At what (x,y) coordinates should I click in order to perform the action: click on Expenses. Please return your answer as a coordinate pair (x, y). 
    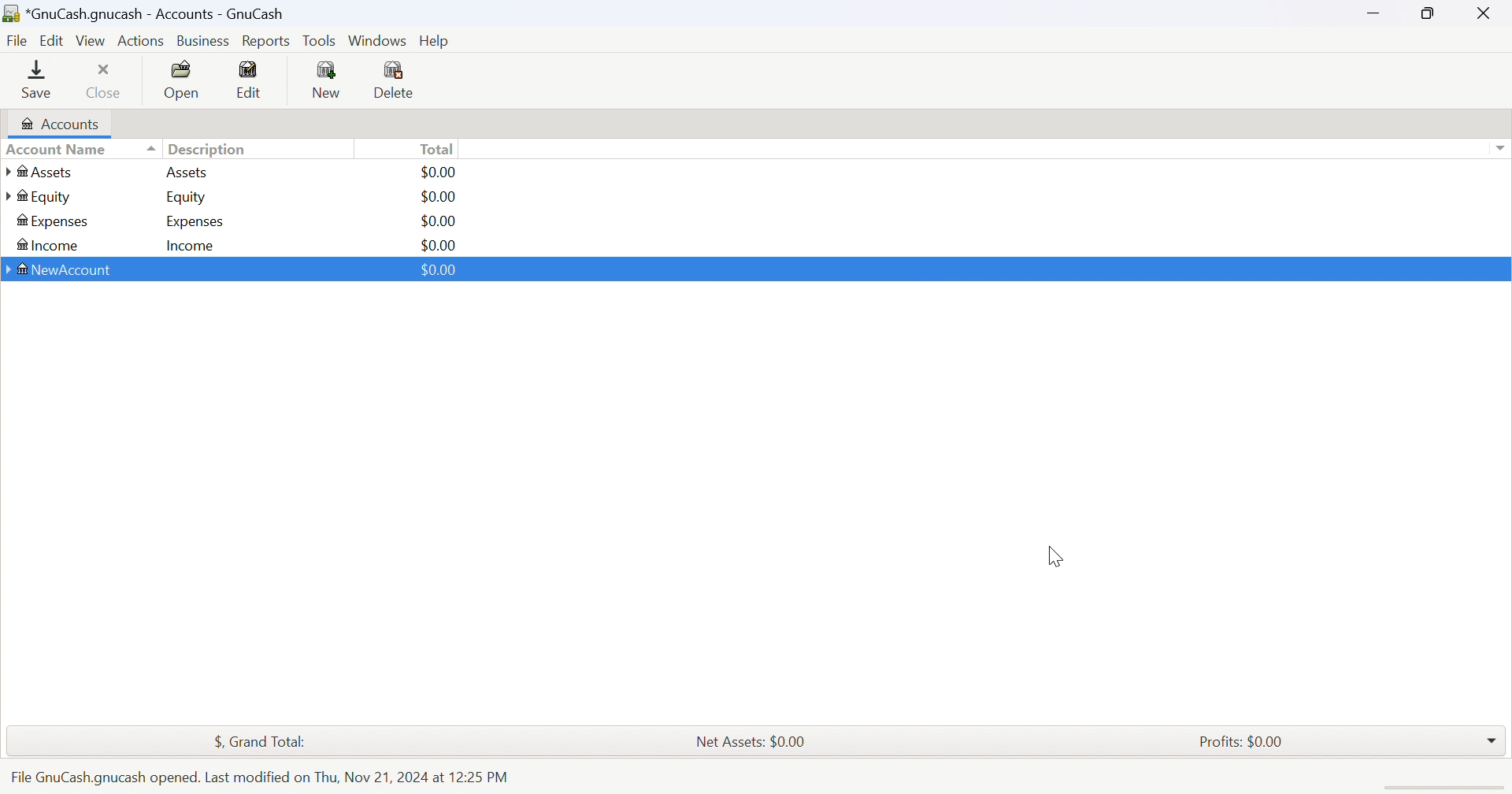
    Looking at the image, I should click on (54, 222).